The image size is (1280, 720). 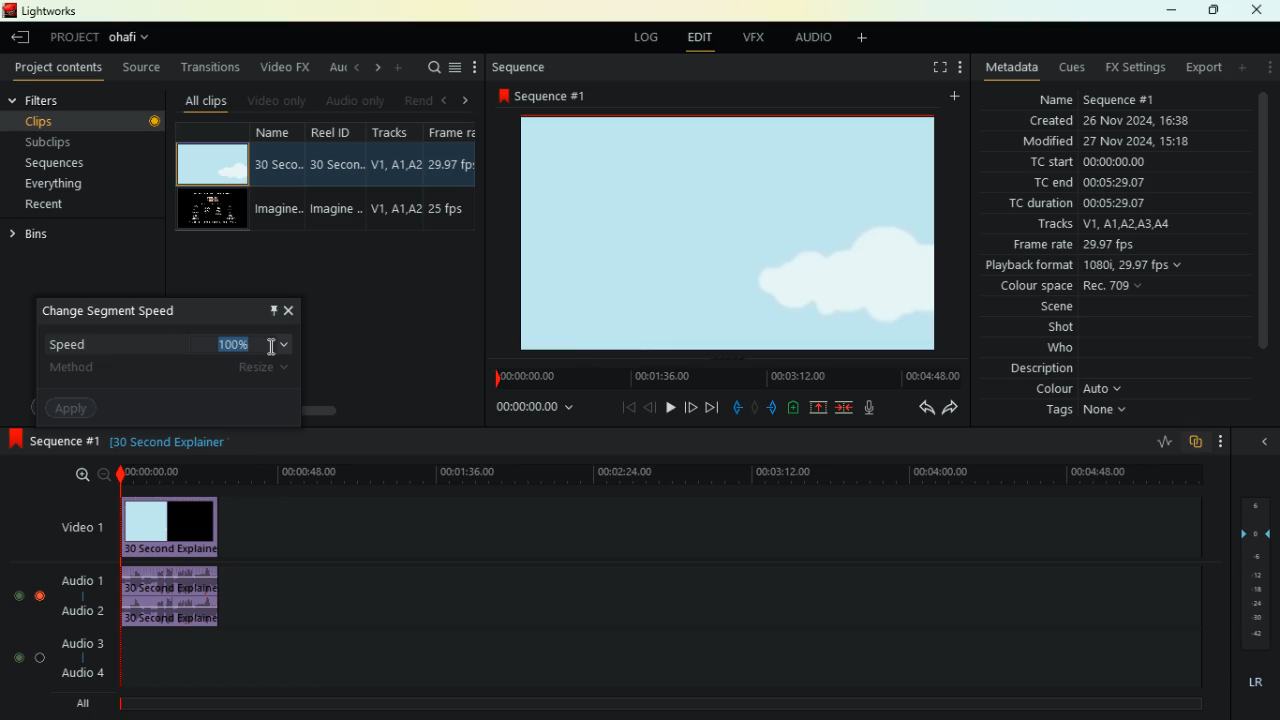 I want to click on rend, so click(x=416, y=100).